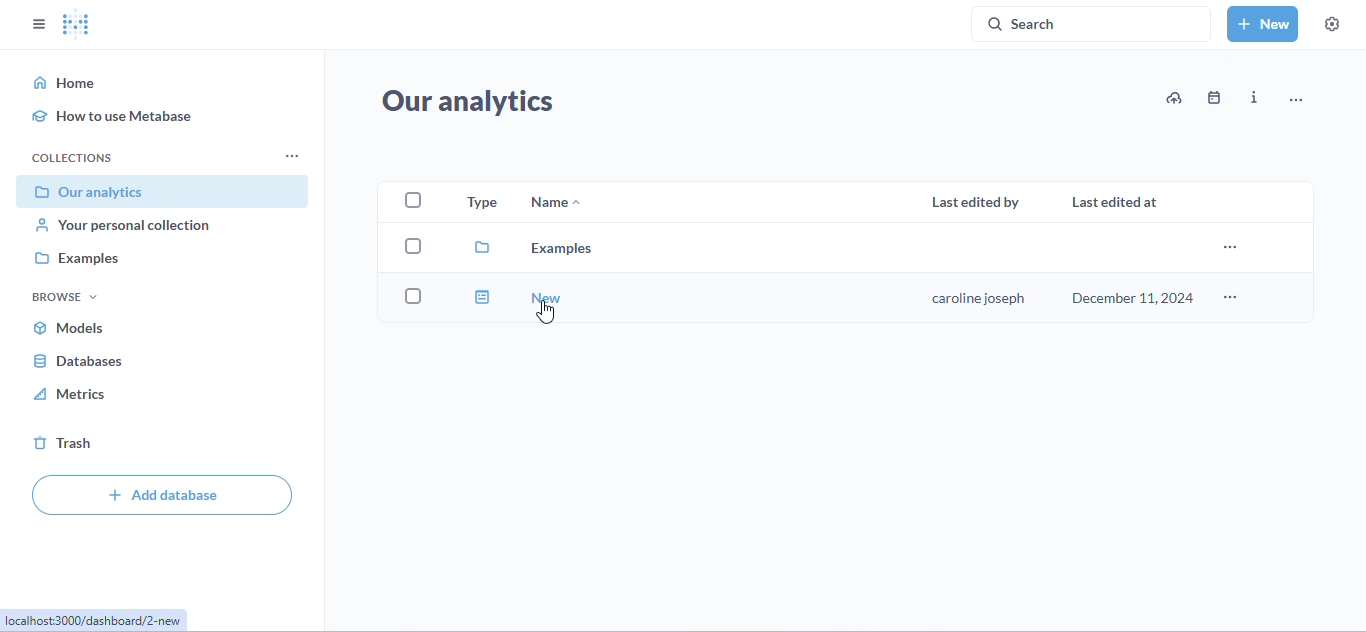  I want to click on settings, so click(1332, 24).